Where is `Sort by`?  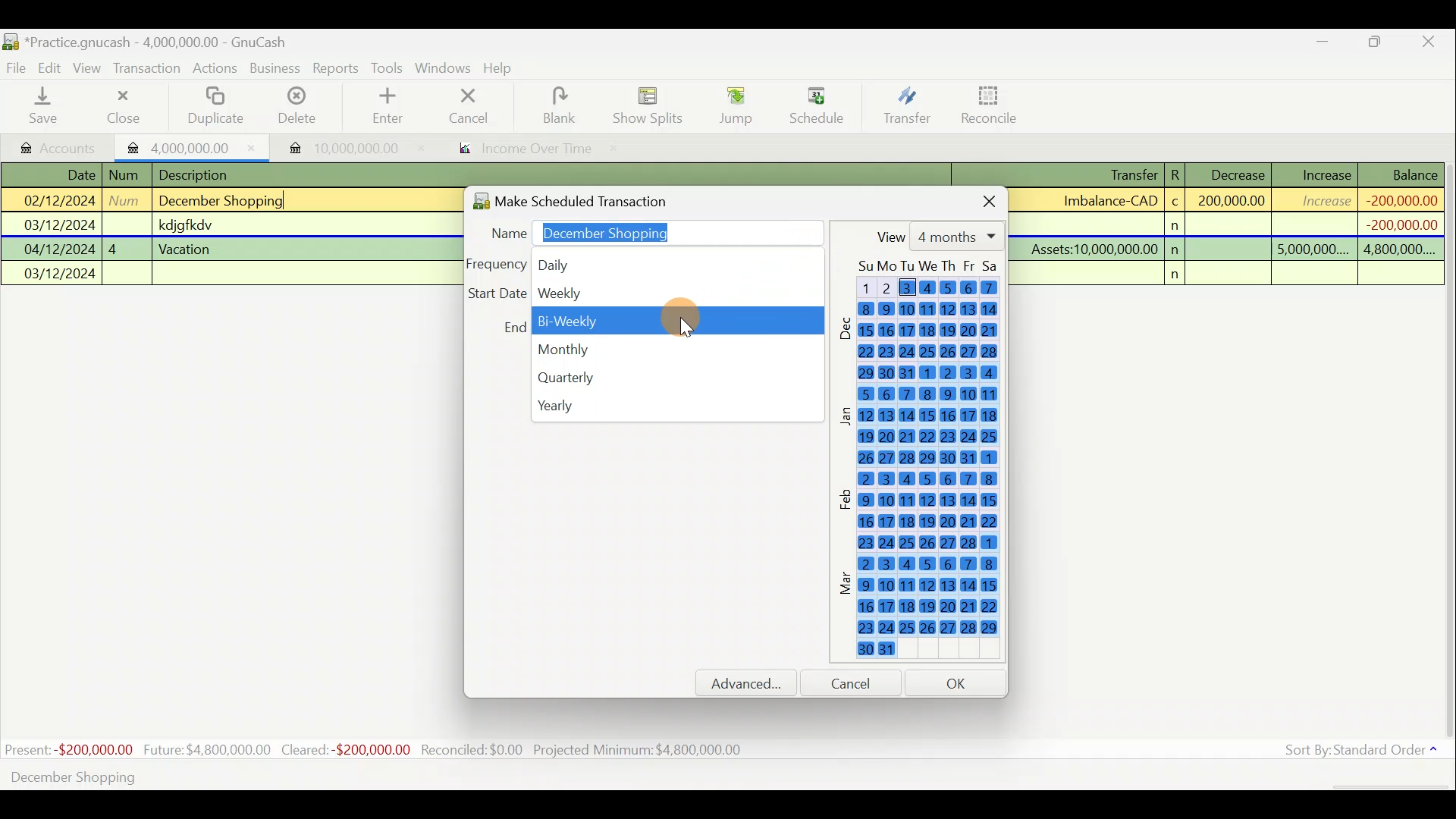
Sort by is located at coordinates (1364, 753).